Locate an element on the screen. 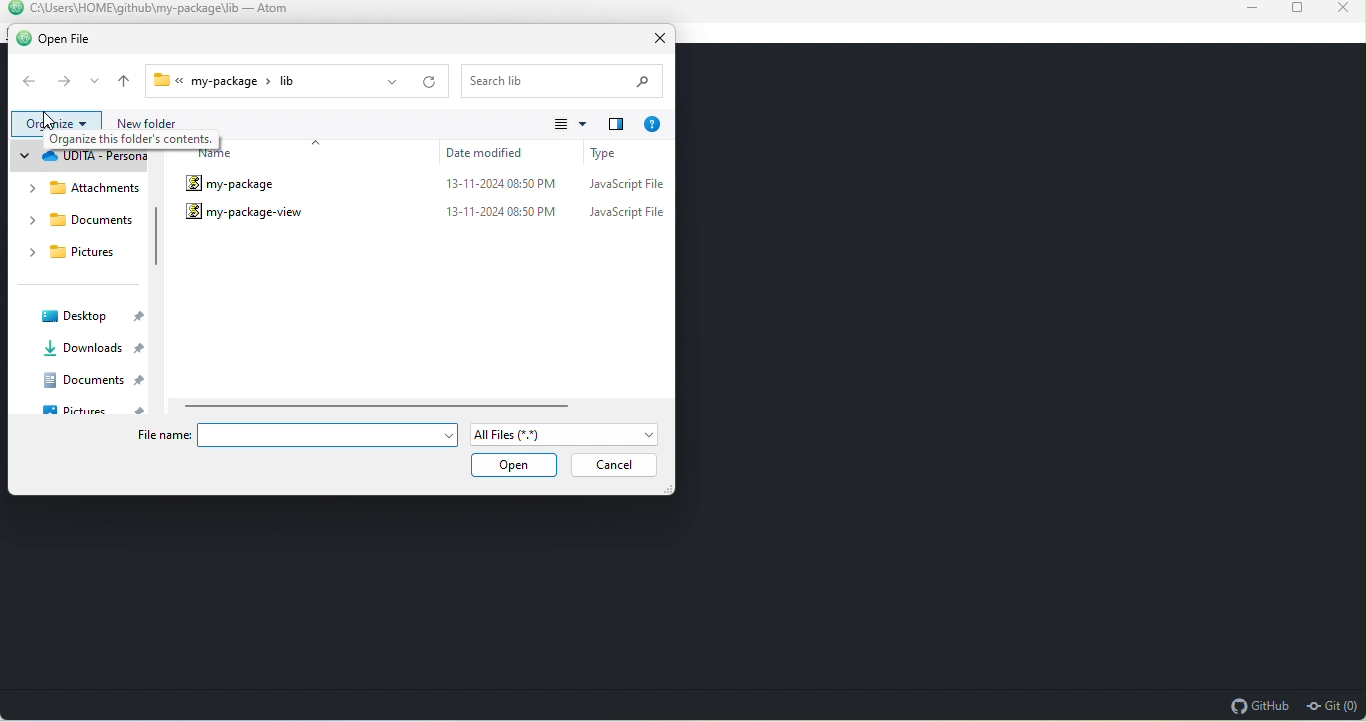  picture is located at coordinates (90, 411).